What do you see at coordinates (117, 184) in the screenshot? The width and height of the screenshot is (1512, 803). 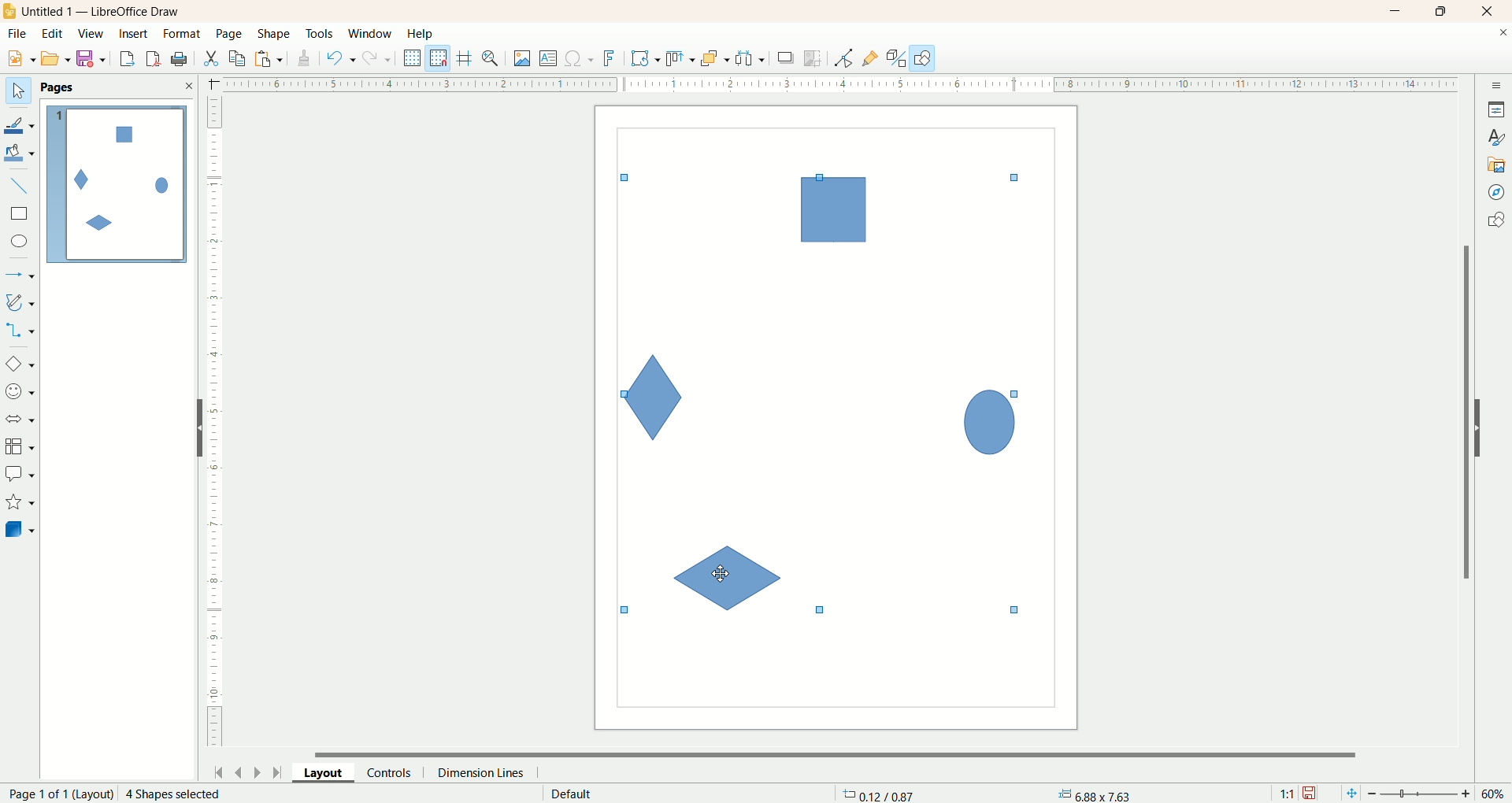 I see `page1` at bounding box center [117, 184].